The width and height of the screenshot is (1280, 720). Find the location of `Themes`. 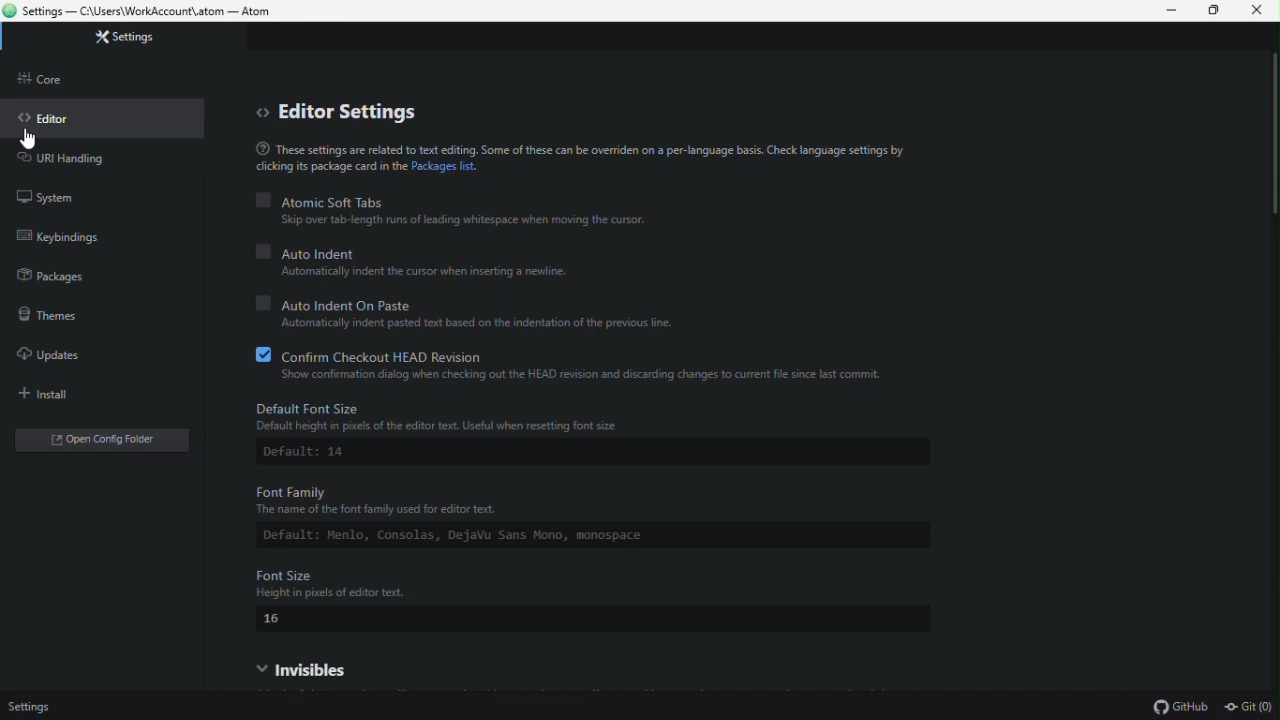

Themes is located at coordinates (55, 318).